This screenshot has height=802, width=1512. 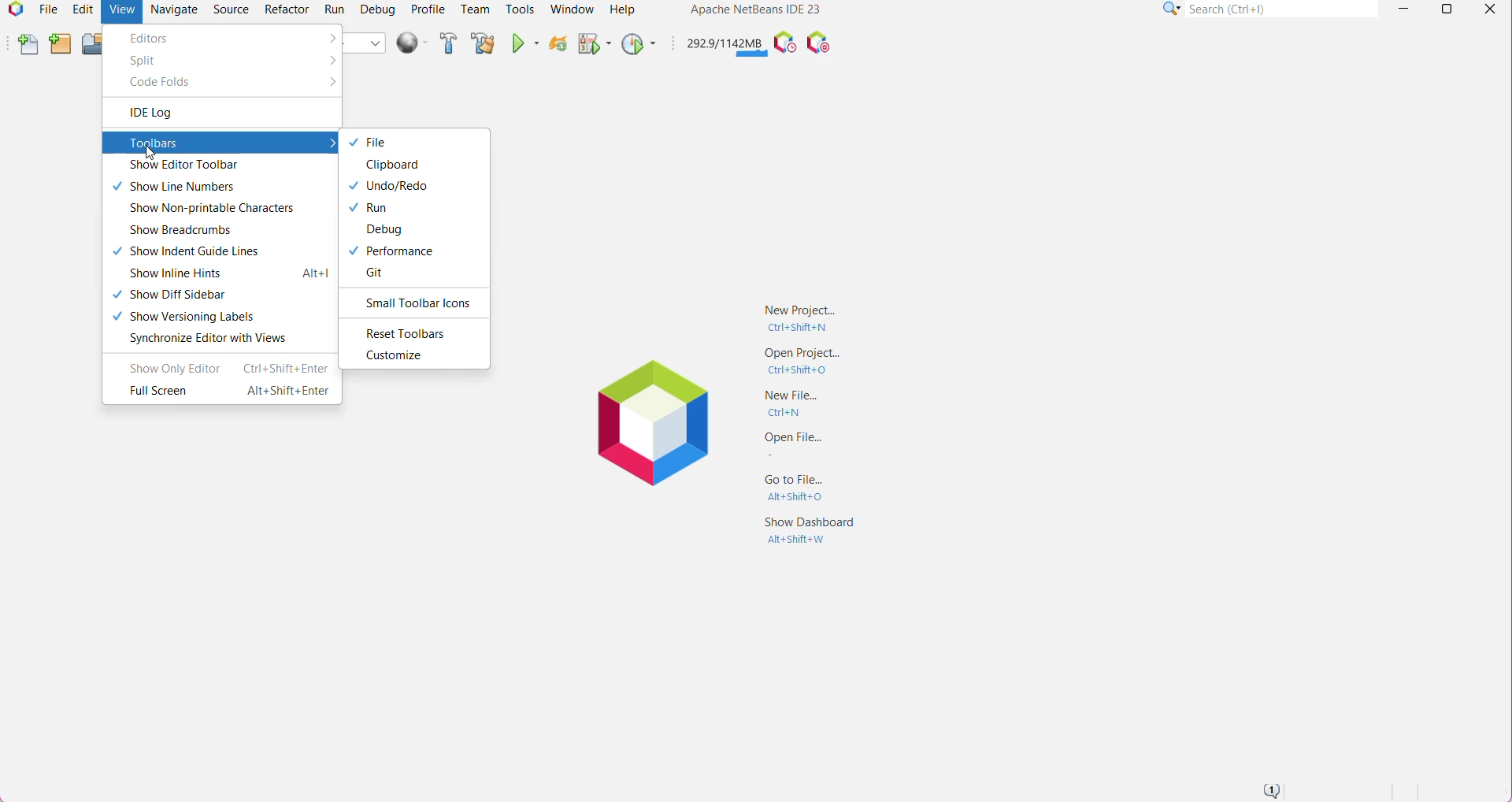 I want to click on Close, so click(x=1490, y=10).